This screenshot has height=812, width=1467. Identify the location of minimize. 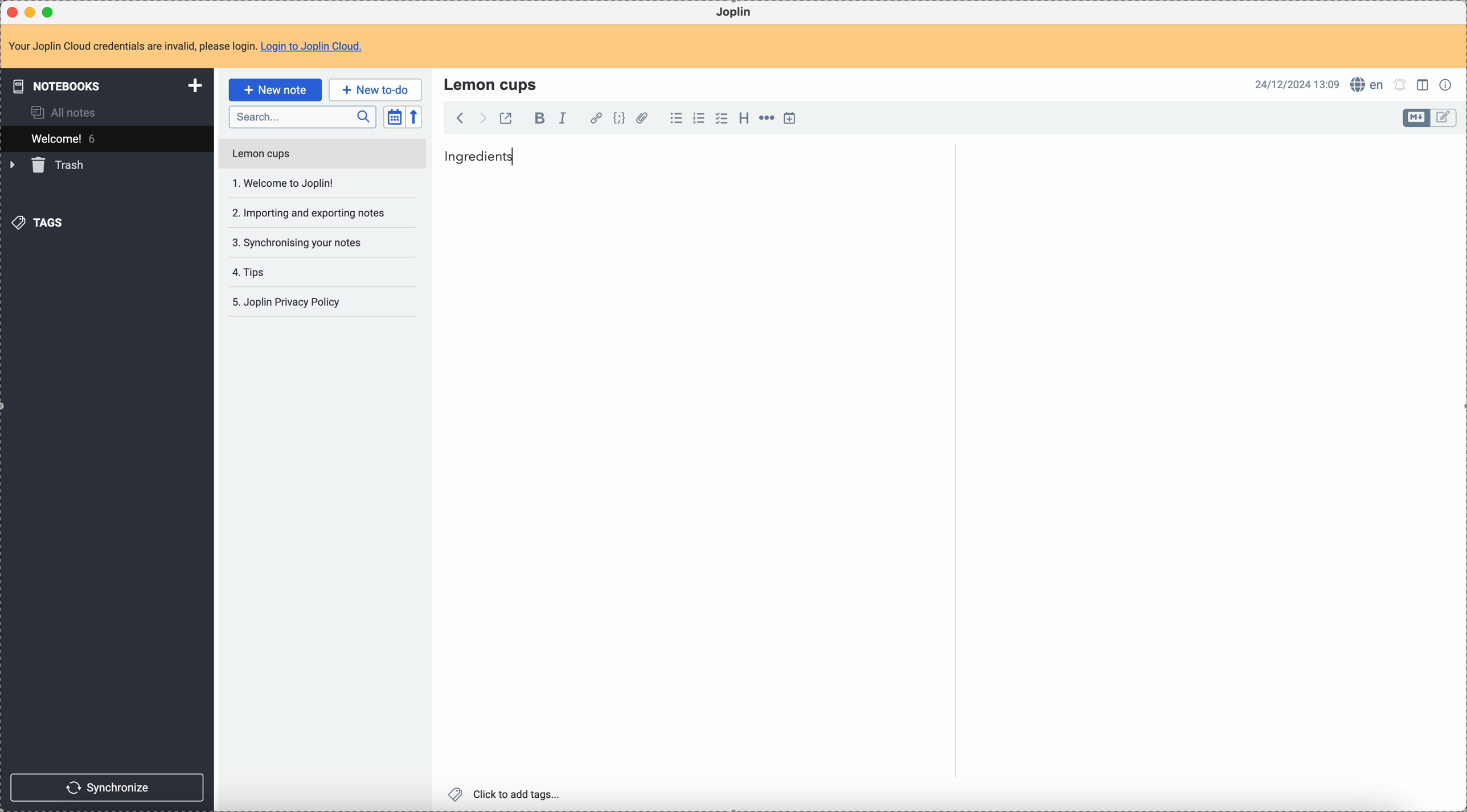
(32, 13).